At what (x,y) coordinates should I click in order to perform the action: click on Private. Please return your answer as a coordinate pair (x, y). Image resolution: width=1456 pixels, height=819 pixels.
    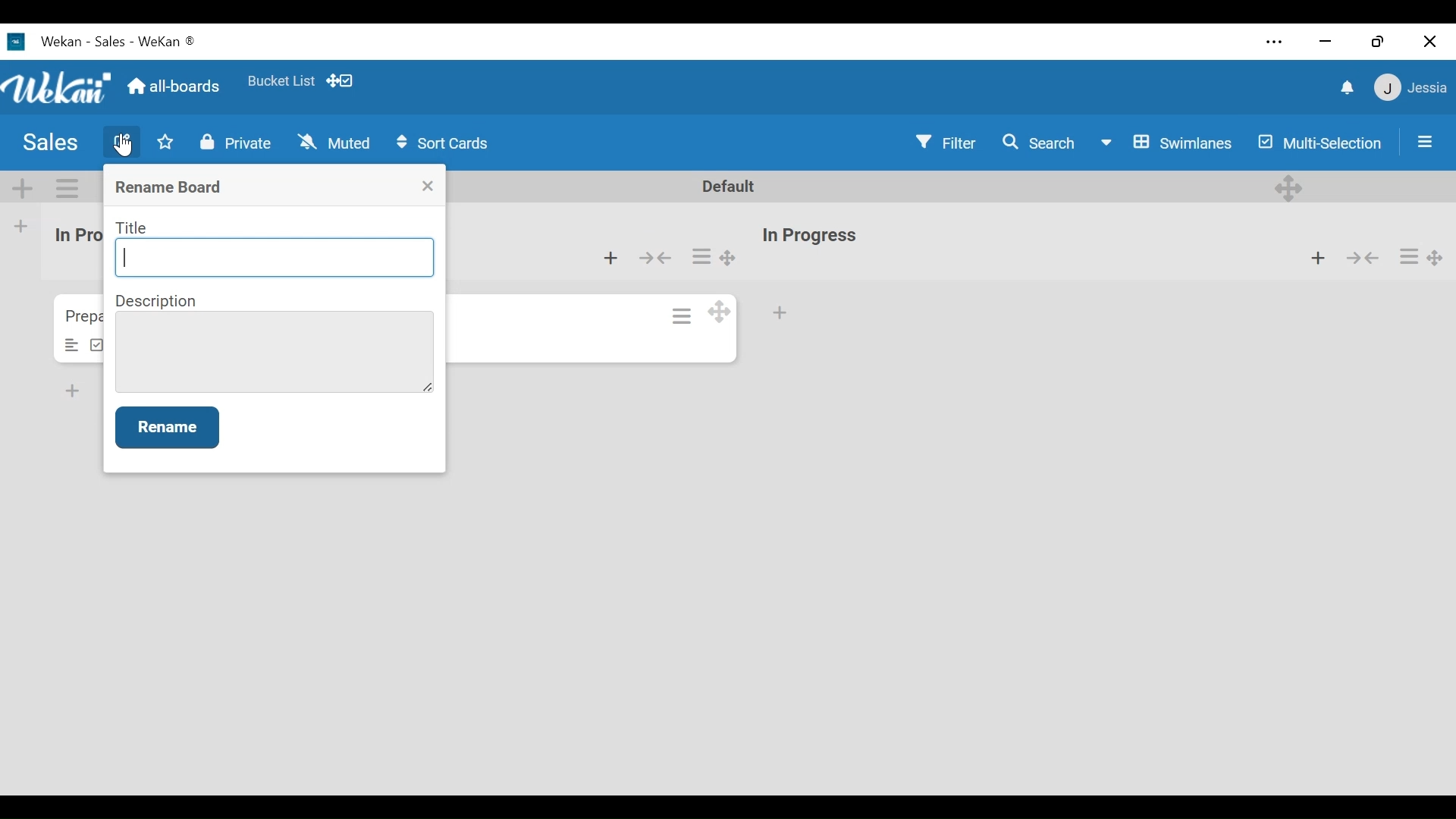
    Looking at the image, I should click on (240, 142).